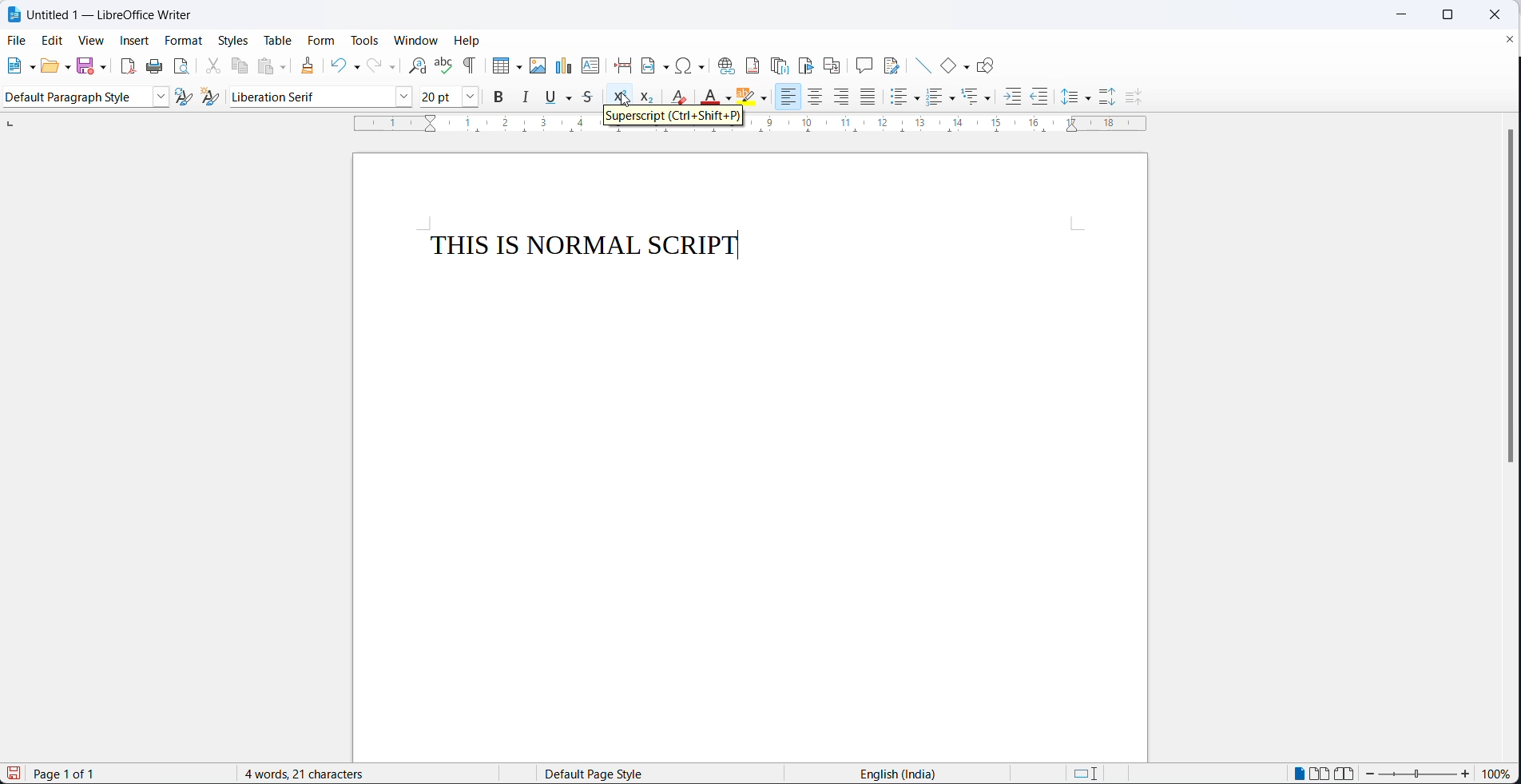 The width and height of the screenshot is (1521, 784). Describe the element at coordinates (183, 66) in the screenshot. I see `print preview` at that location.